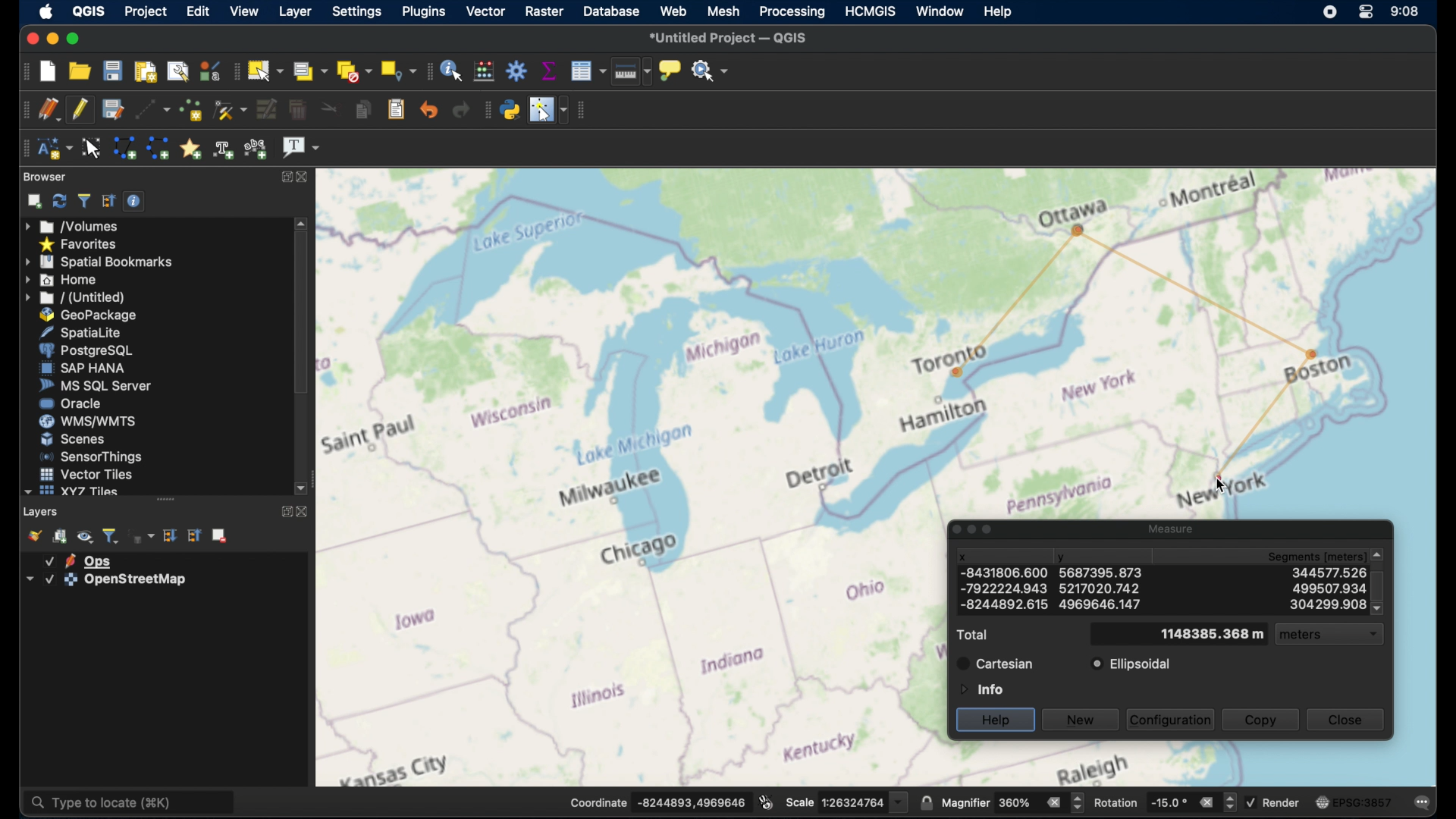 This screenshot has height=819, width=1456. What do you see at coordinates (89, 11) in the screenshot?
I see `qgis` at bounding box center [89, 11].